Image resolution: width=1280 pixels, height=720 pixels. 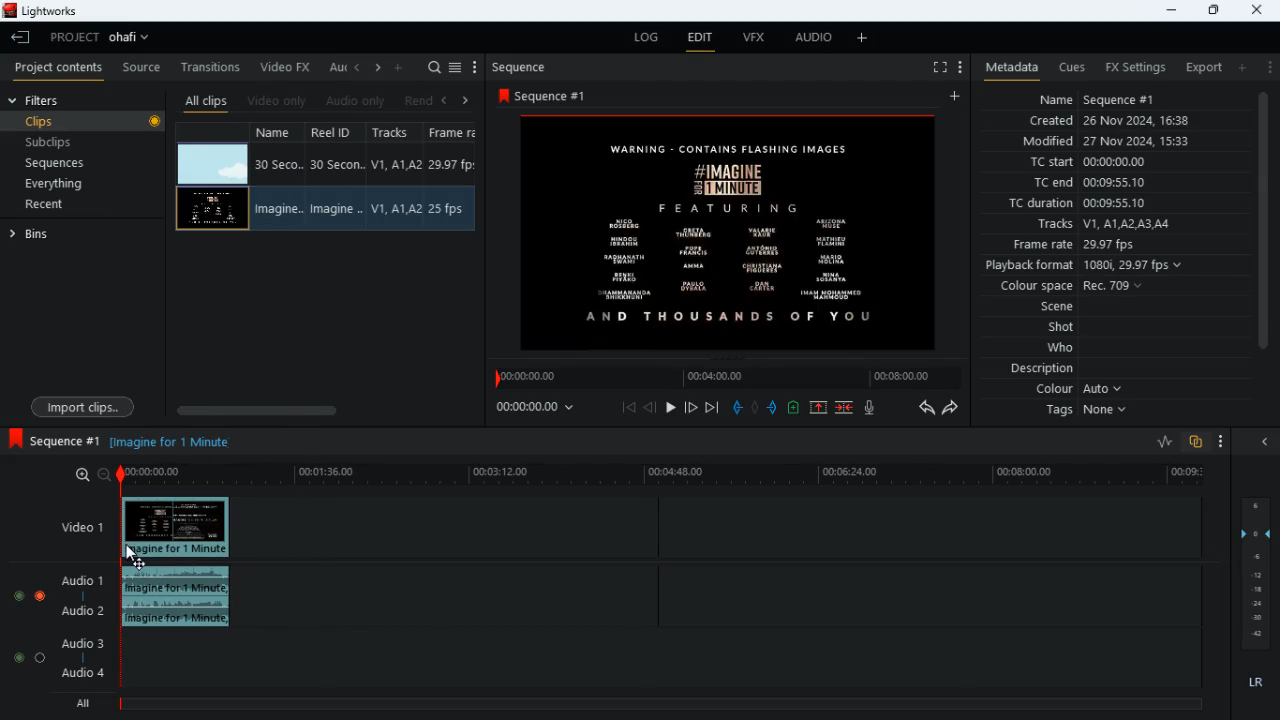 I want to click on frame rate, so click(x=1095, y=244).